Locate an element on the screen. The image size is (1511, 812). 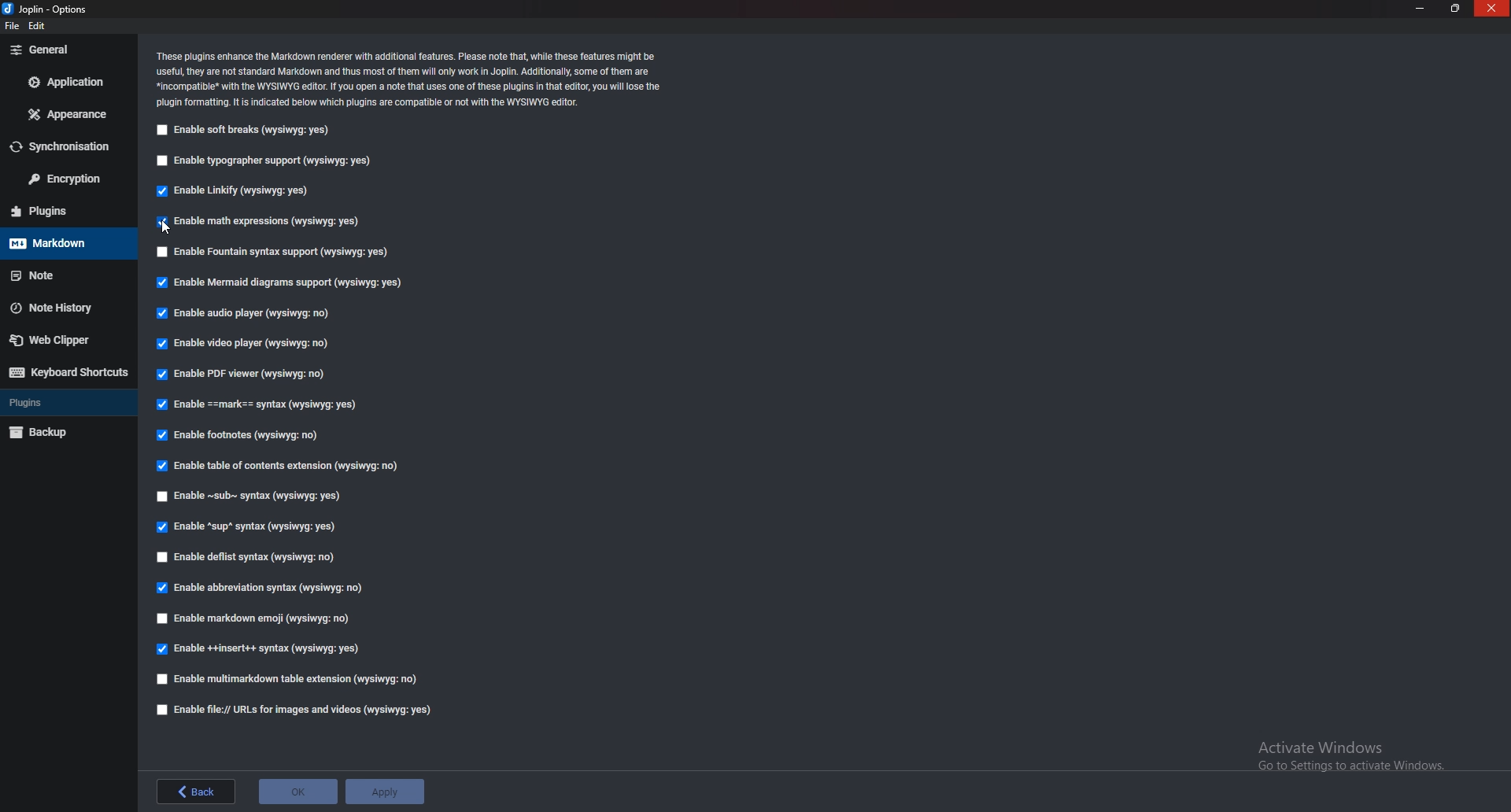
Enable table of contents is located at coordinates (279, 466).